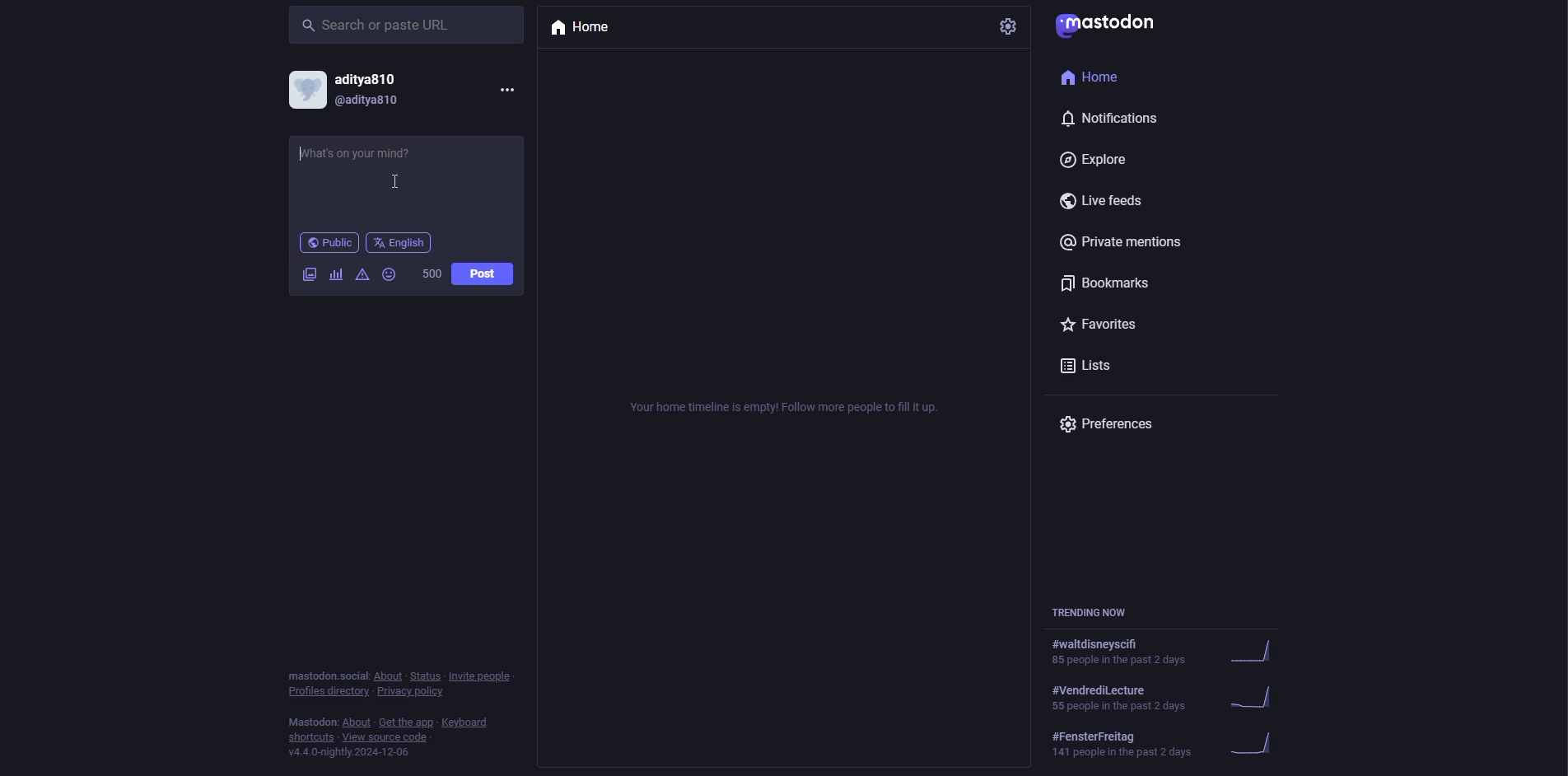 The image size is (1568, 776). What do you see at coordinates (1099, 78) in the screenshot?
I see `home` at bounding box center [1099, 78].